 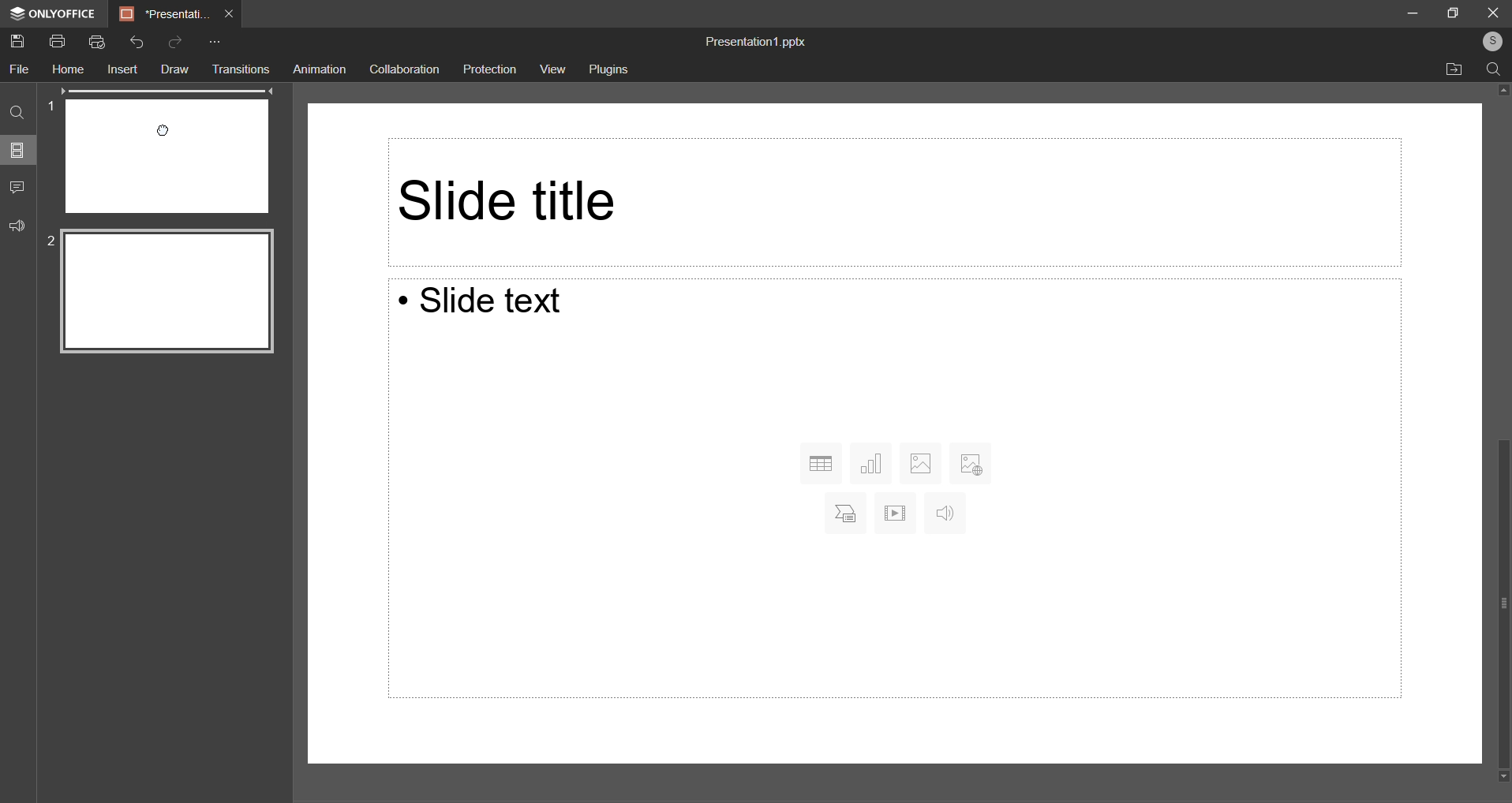 I want to click on Comment, so click(x=21, y=187).